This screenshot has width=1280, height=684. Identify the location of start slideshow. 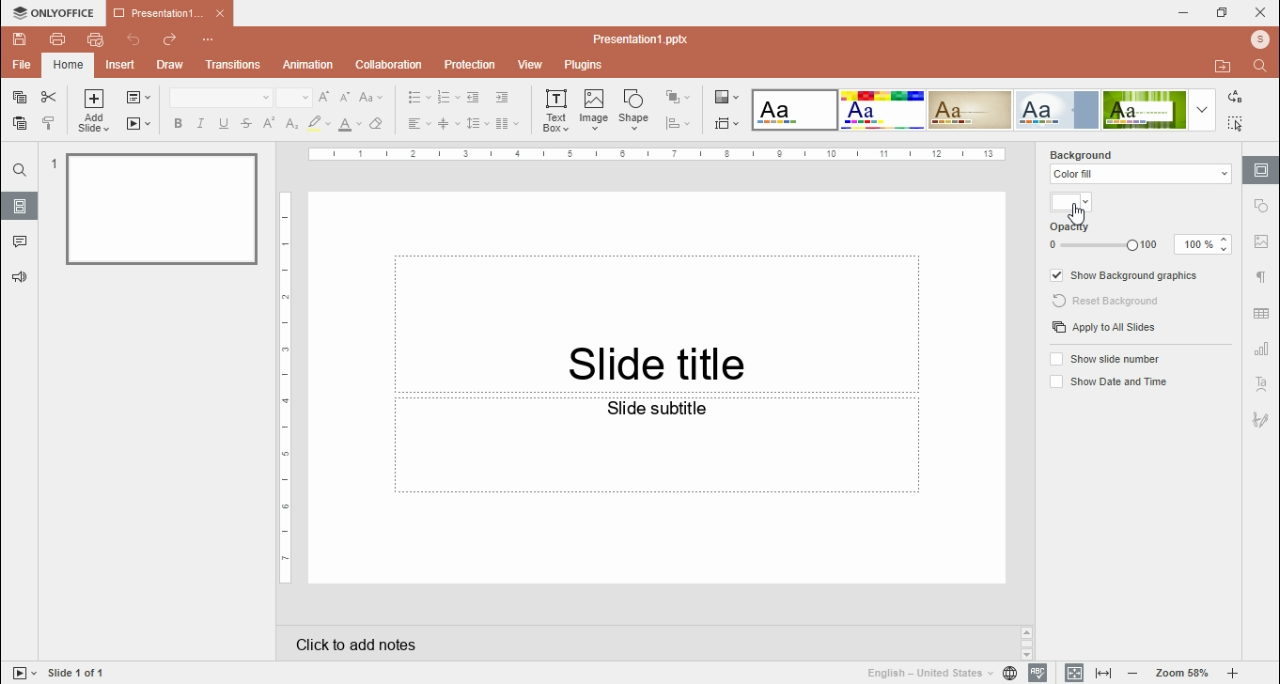
(24, 672).